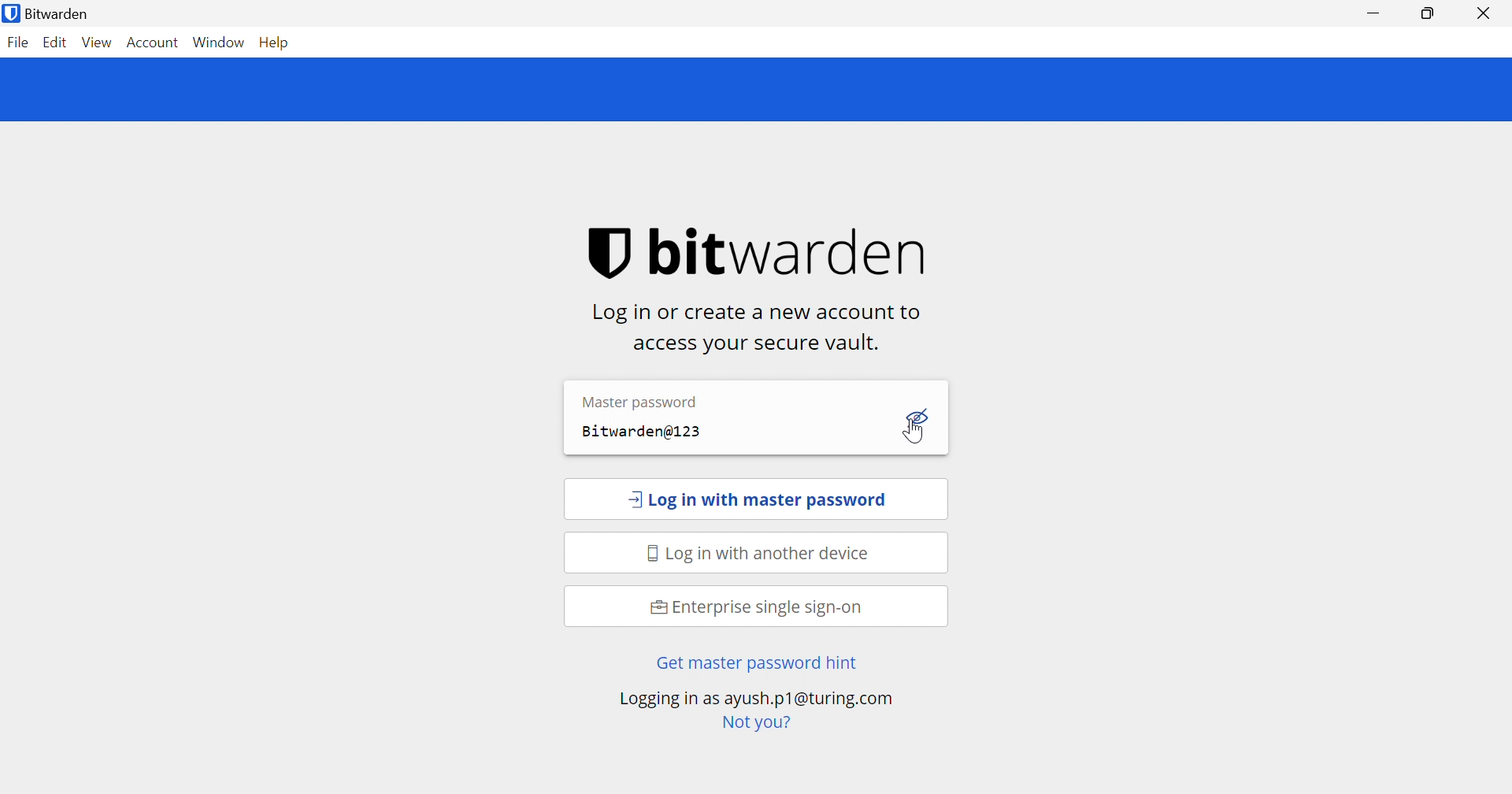  Describe the element at coordinates (639, 400) in the screenshot. I see `Master password` at that location.